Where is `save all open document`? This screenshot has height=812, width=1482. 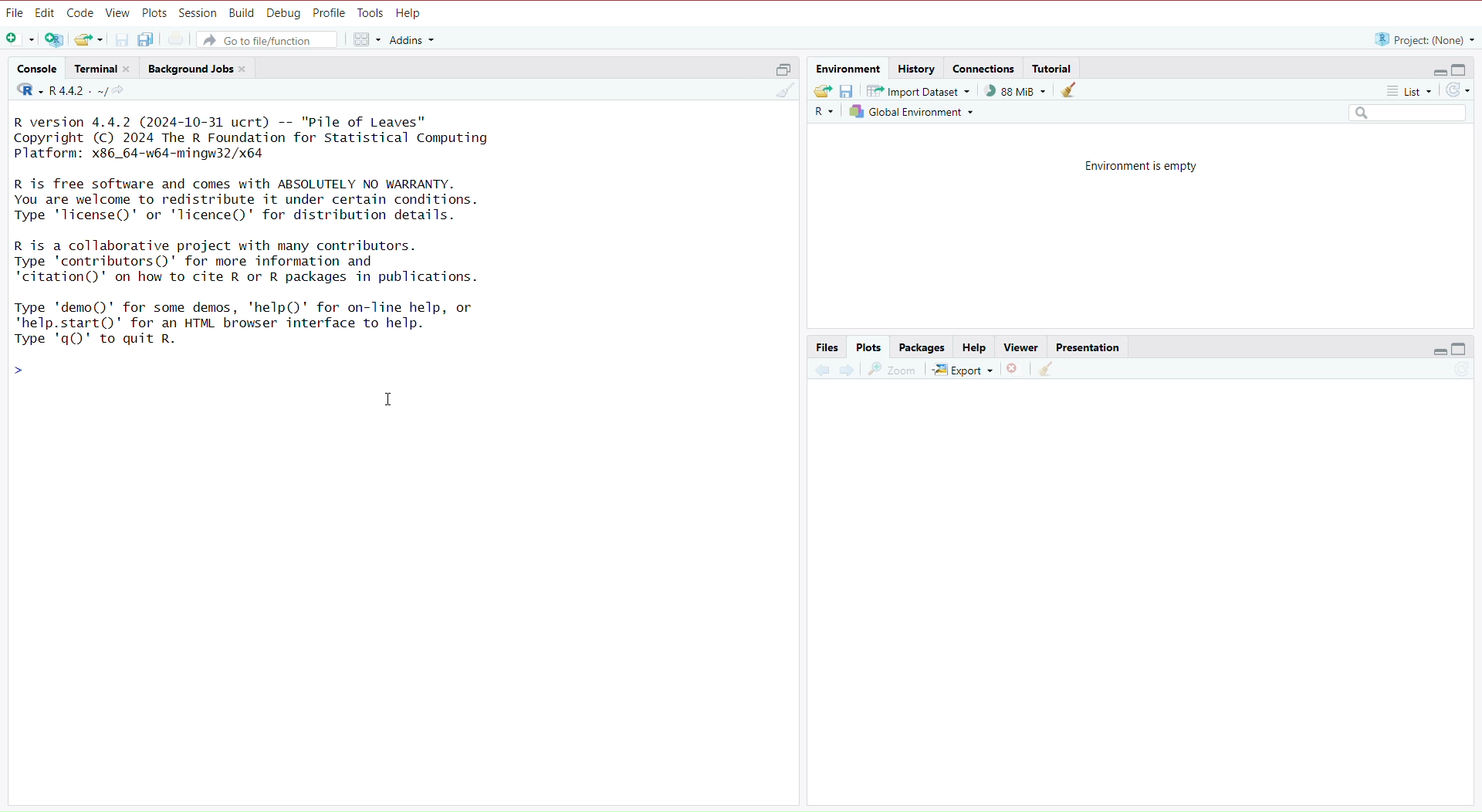
save all open document is located at coordinates (147, 39).